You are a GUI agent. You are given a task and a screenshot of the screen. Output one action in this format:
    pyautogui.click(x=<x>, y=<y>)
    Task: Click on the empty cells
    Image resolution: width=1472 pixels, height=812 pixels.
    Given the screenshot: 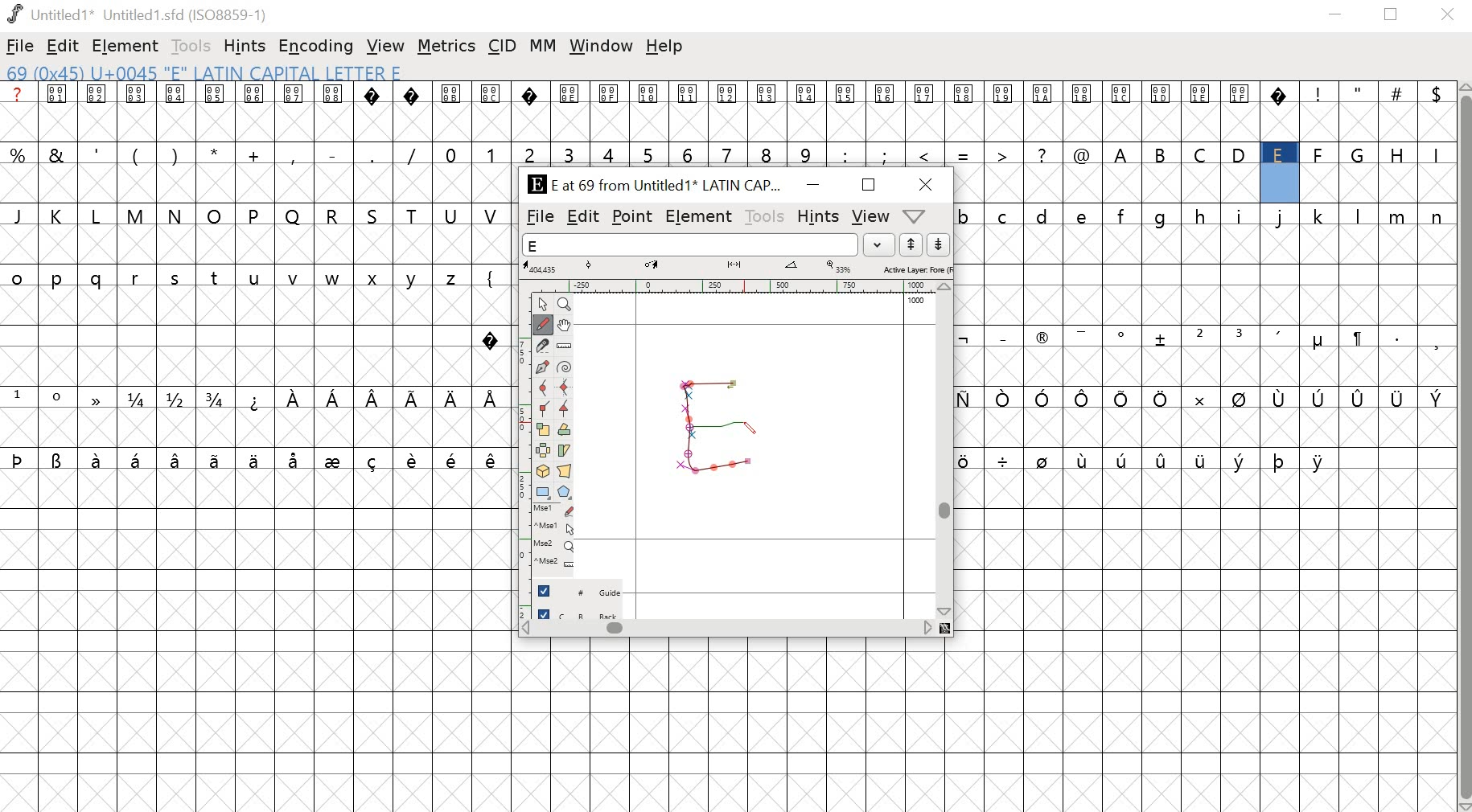 What is the action you would take?
    pyautogui.click(x=727, y=124)
    